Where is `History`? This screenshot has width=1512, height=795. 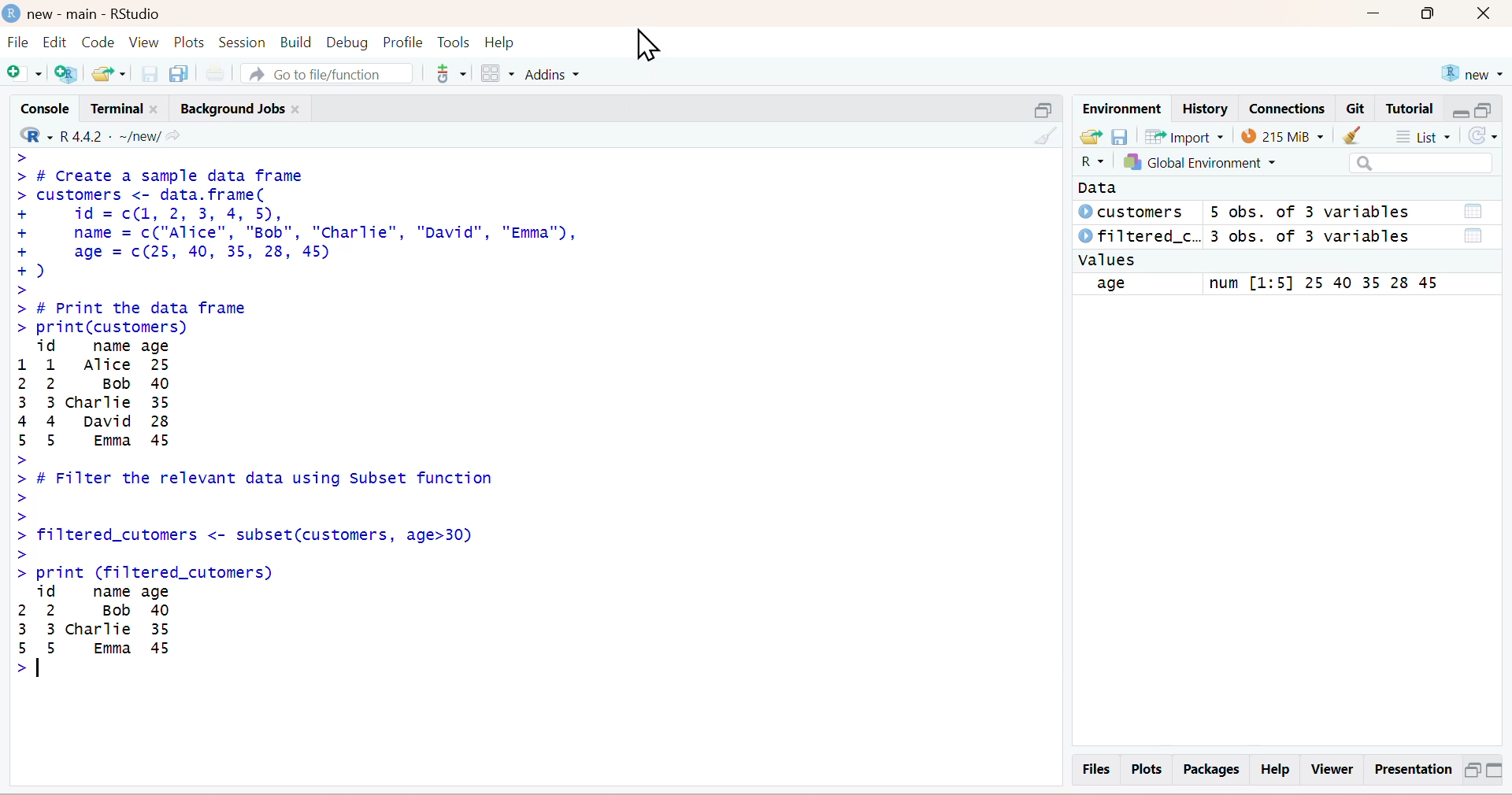 History is located at coordinates (1204, 108).